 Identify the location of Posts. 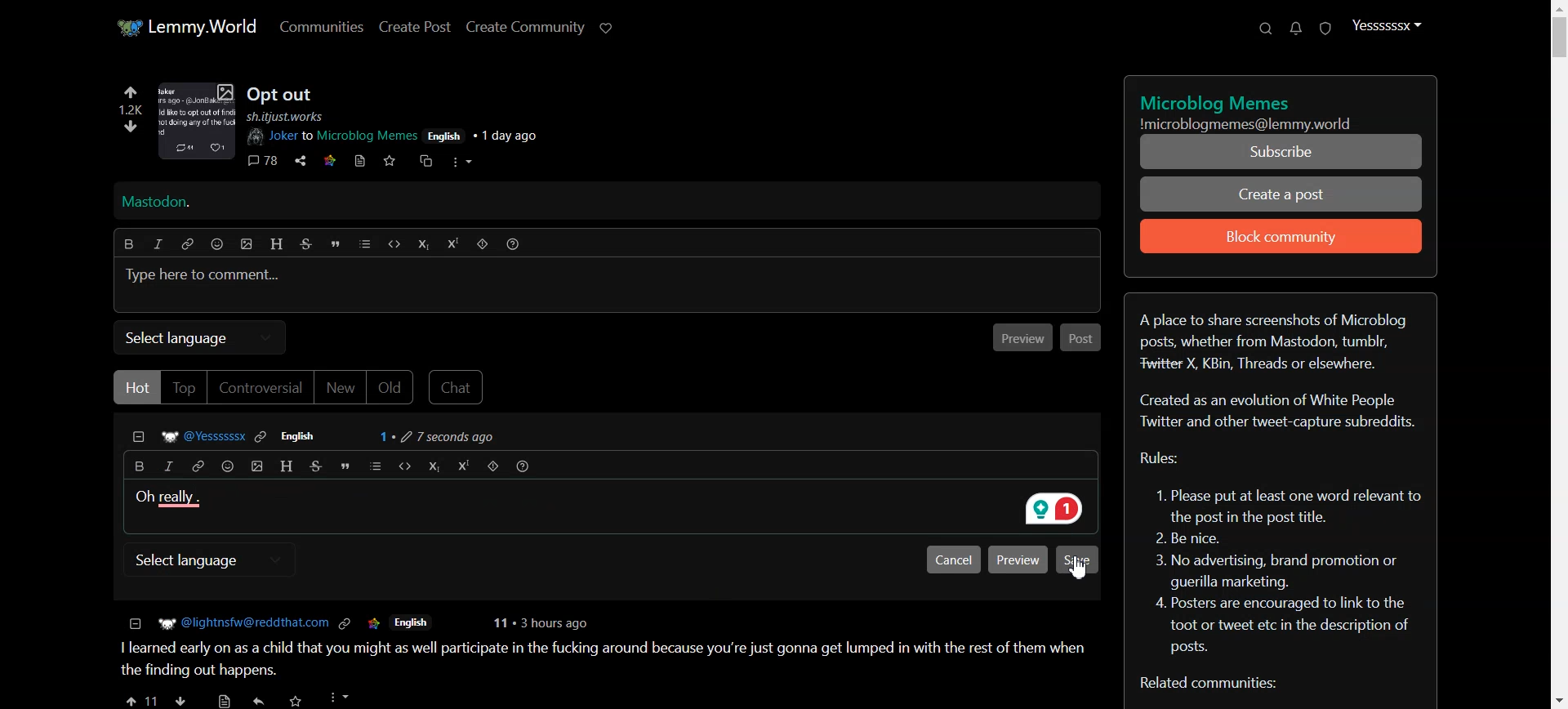
(287, 93).